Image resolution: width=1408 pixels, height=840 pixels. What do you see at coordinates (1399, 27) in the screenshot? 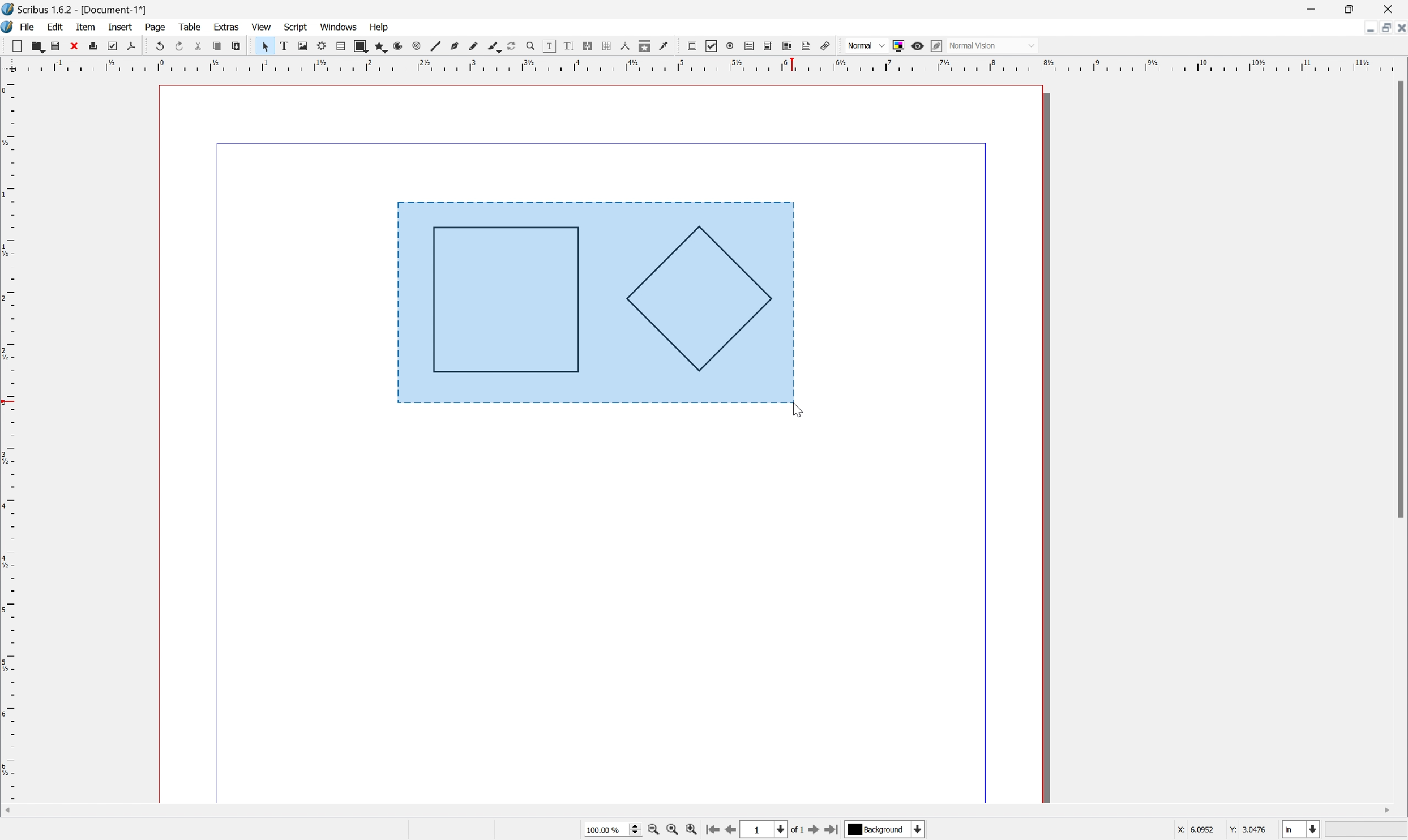
I see `Close` at bounding box center [1399, 27].